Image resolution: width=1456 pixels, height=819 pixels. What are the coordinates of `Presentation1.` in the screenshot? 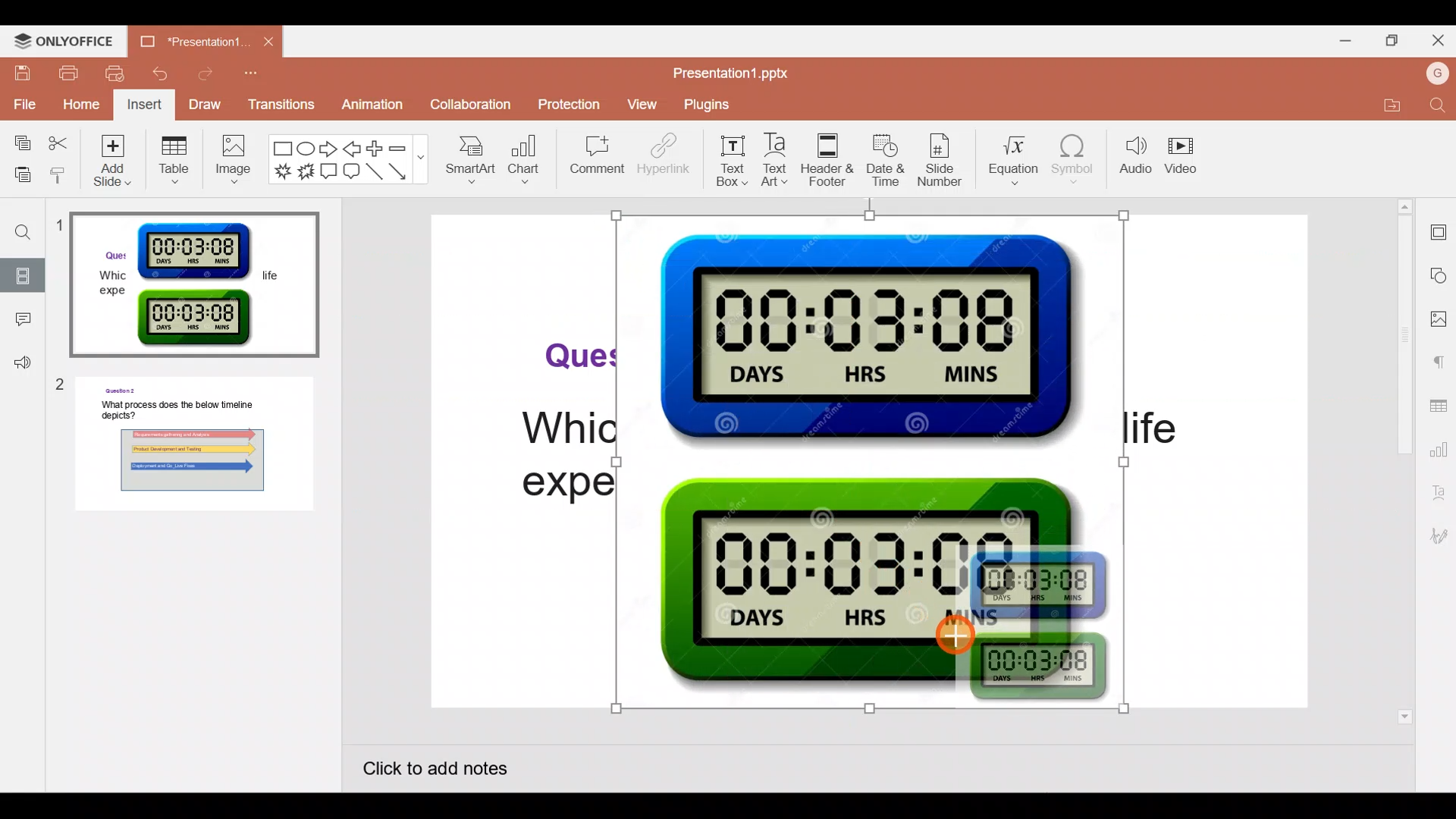 It's located at (190, 40).